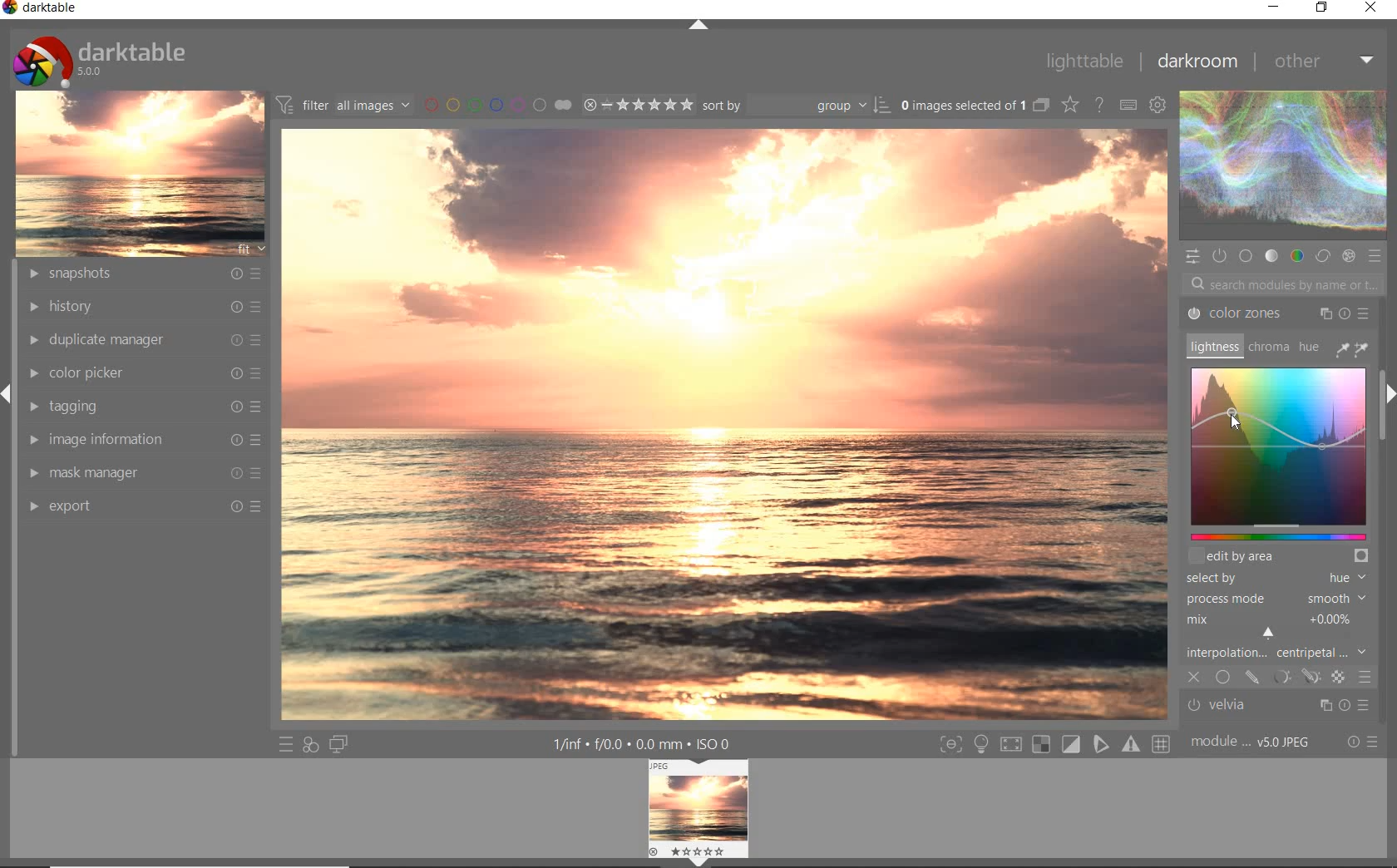  What do you see at coordinates (1385, 338) in the screenshot?
I see `SCROLLBAR` at bounding box center [1385, 338].